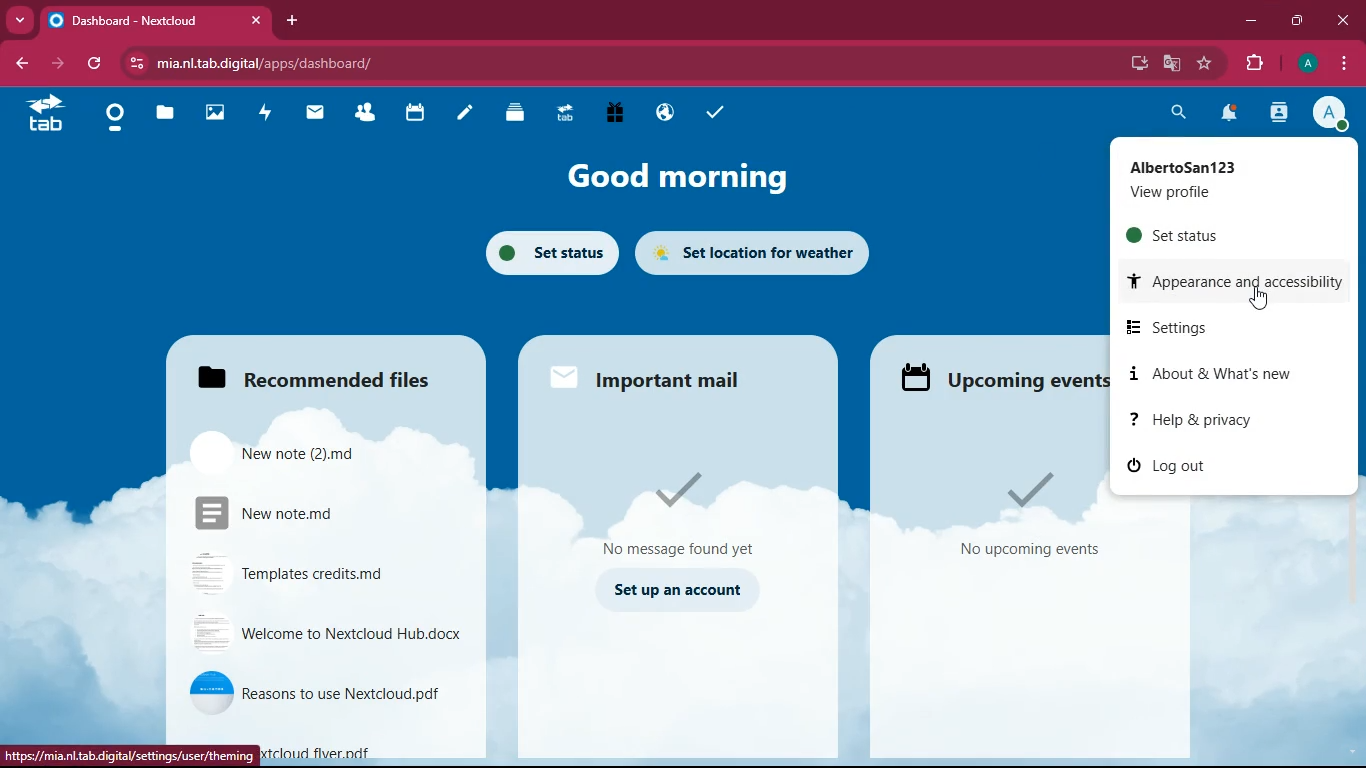 The height and width of the screenshot is (768, 1366). Describe the element at coordinates (610, 114) in the screenshot. I see `gift` at that location.